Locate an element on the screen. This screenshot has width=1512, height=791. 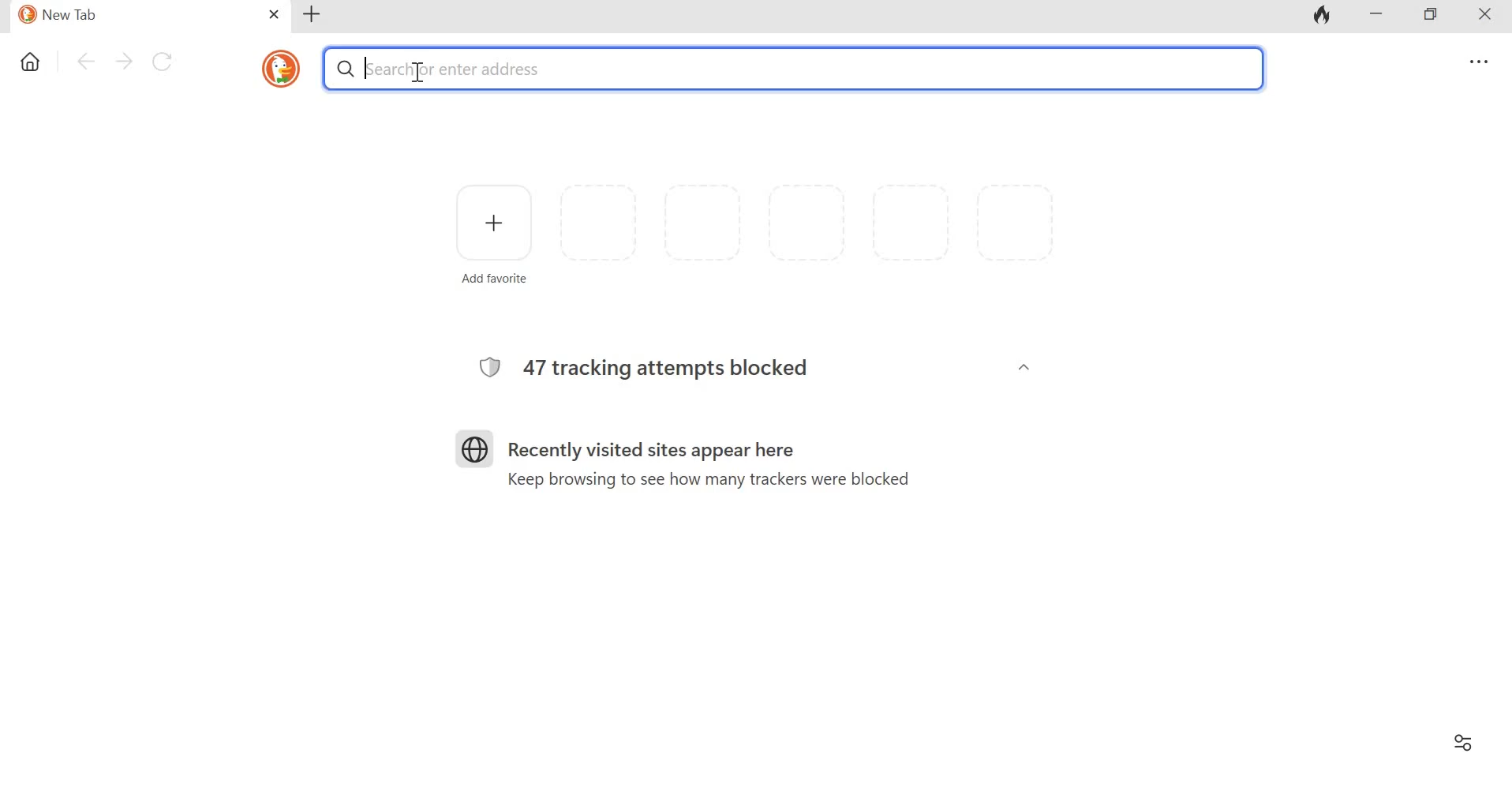
Maximize is located at coordinates (1438, 16).